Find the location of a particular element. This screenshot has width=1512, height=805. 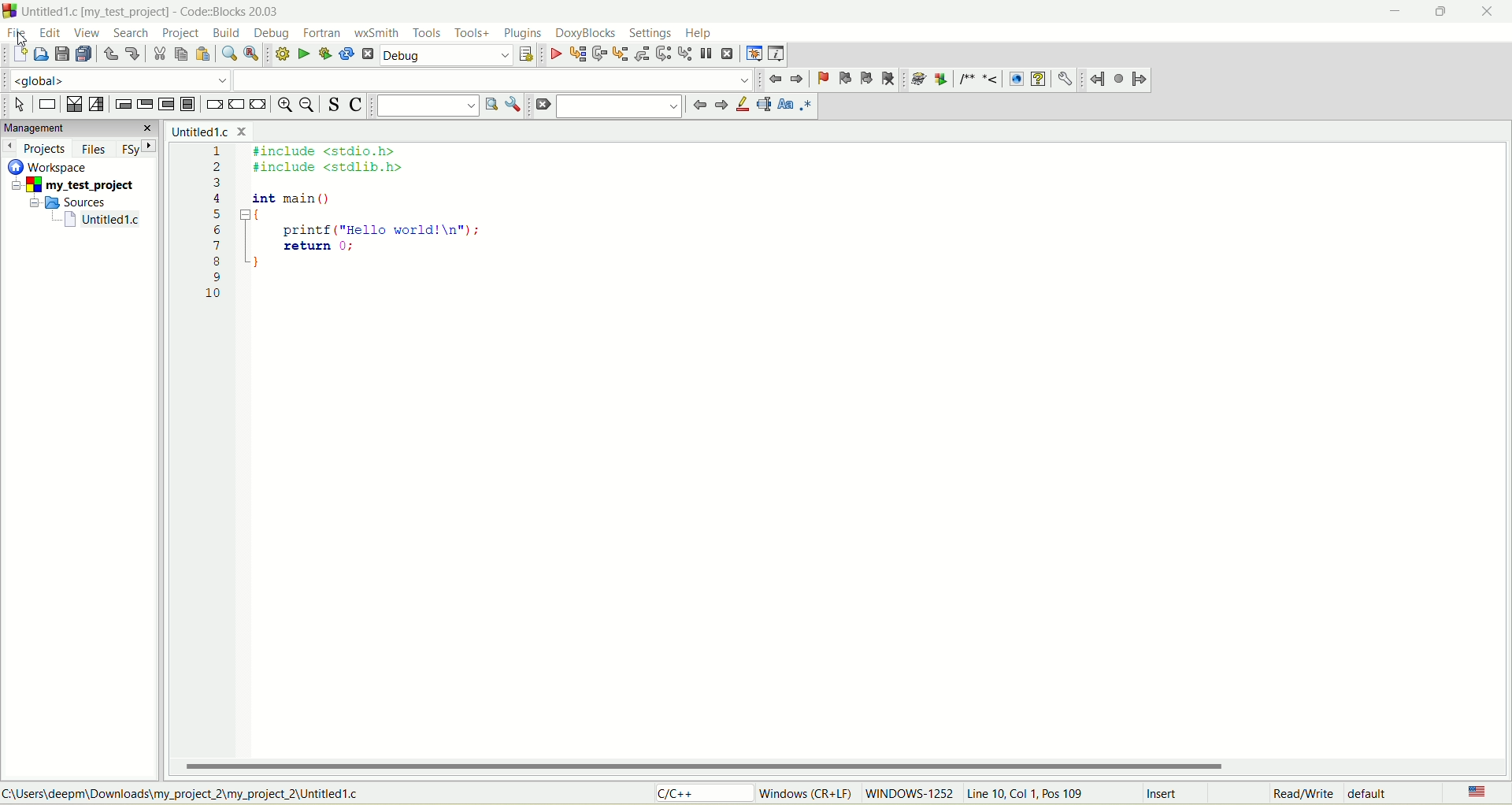

continue instruction is located at coordinates (235, 104).